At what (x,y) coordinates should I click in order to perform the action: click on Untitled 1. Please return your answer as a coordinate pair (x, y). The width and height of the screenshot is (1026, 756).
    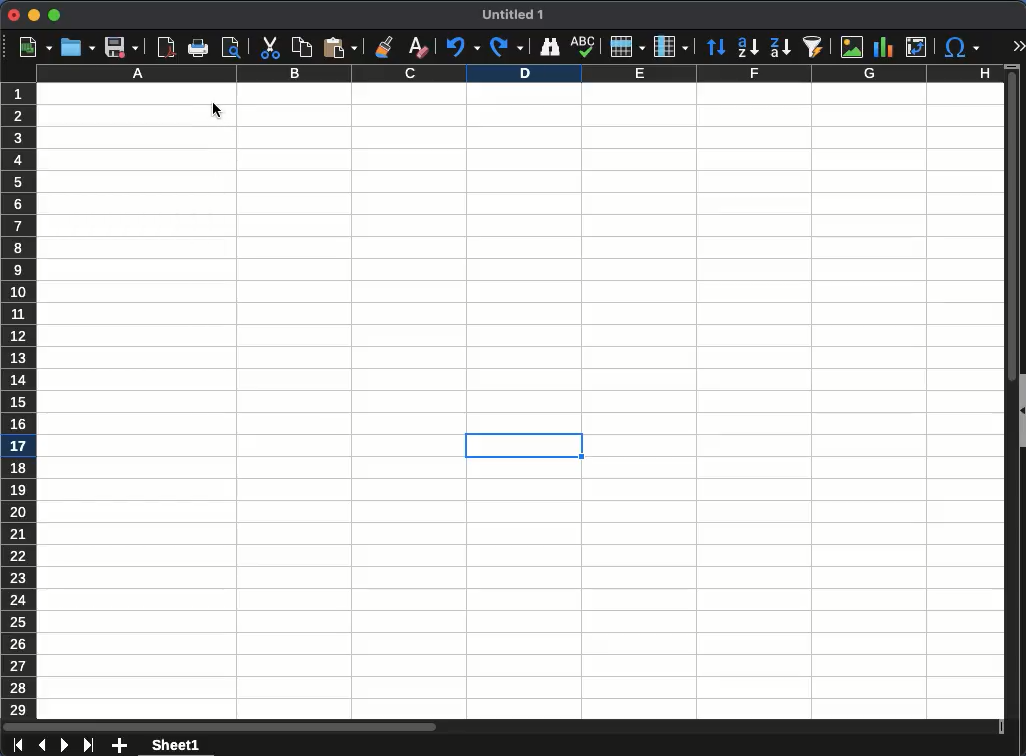
    Looking at the image, I should click on (516, 15).